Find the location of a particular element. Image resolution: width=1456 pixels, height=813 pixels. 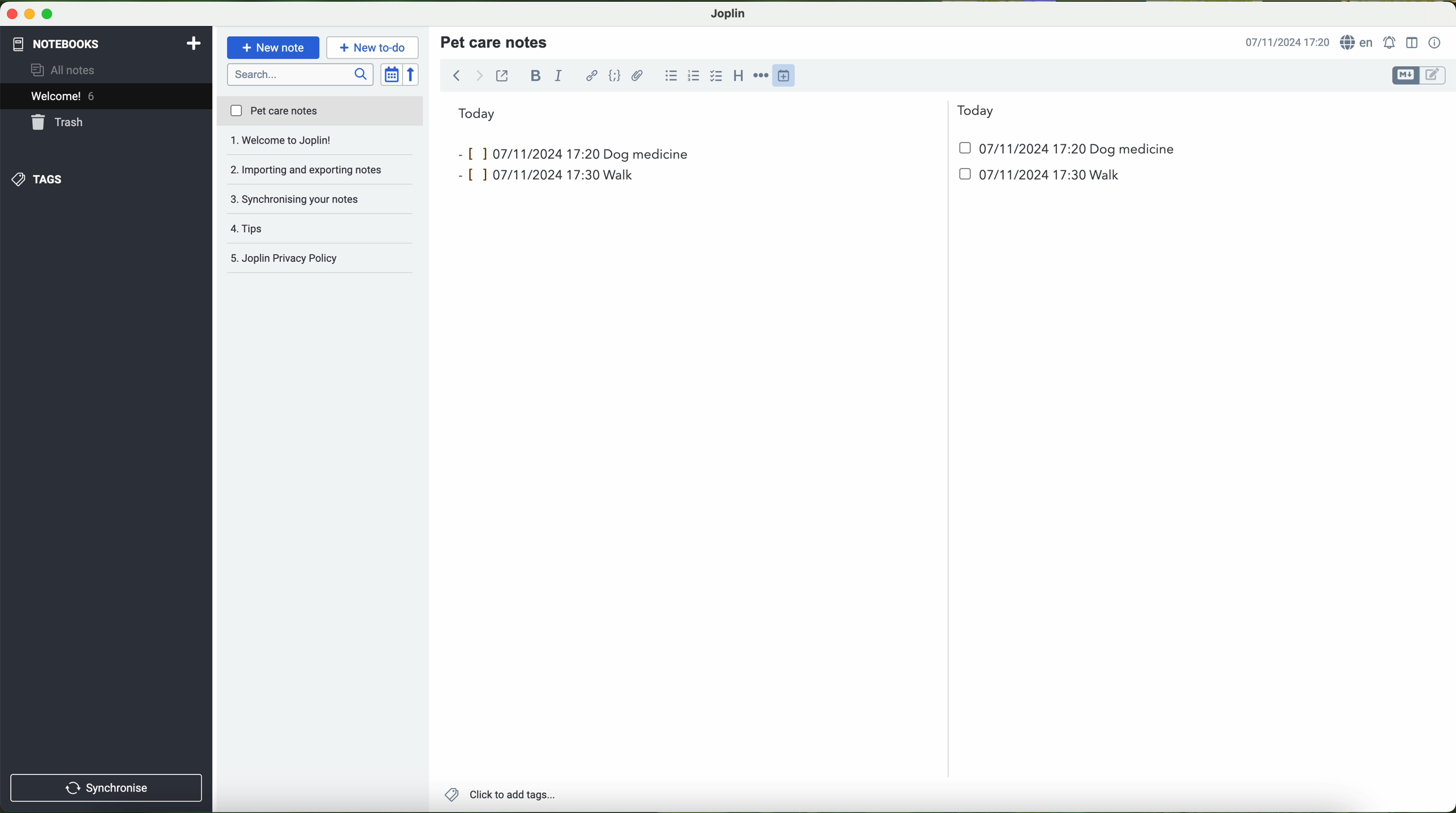

hyperlink is located at coordinates (593, 77).